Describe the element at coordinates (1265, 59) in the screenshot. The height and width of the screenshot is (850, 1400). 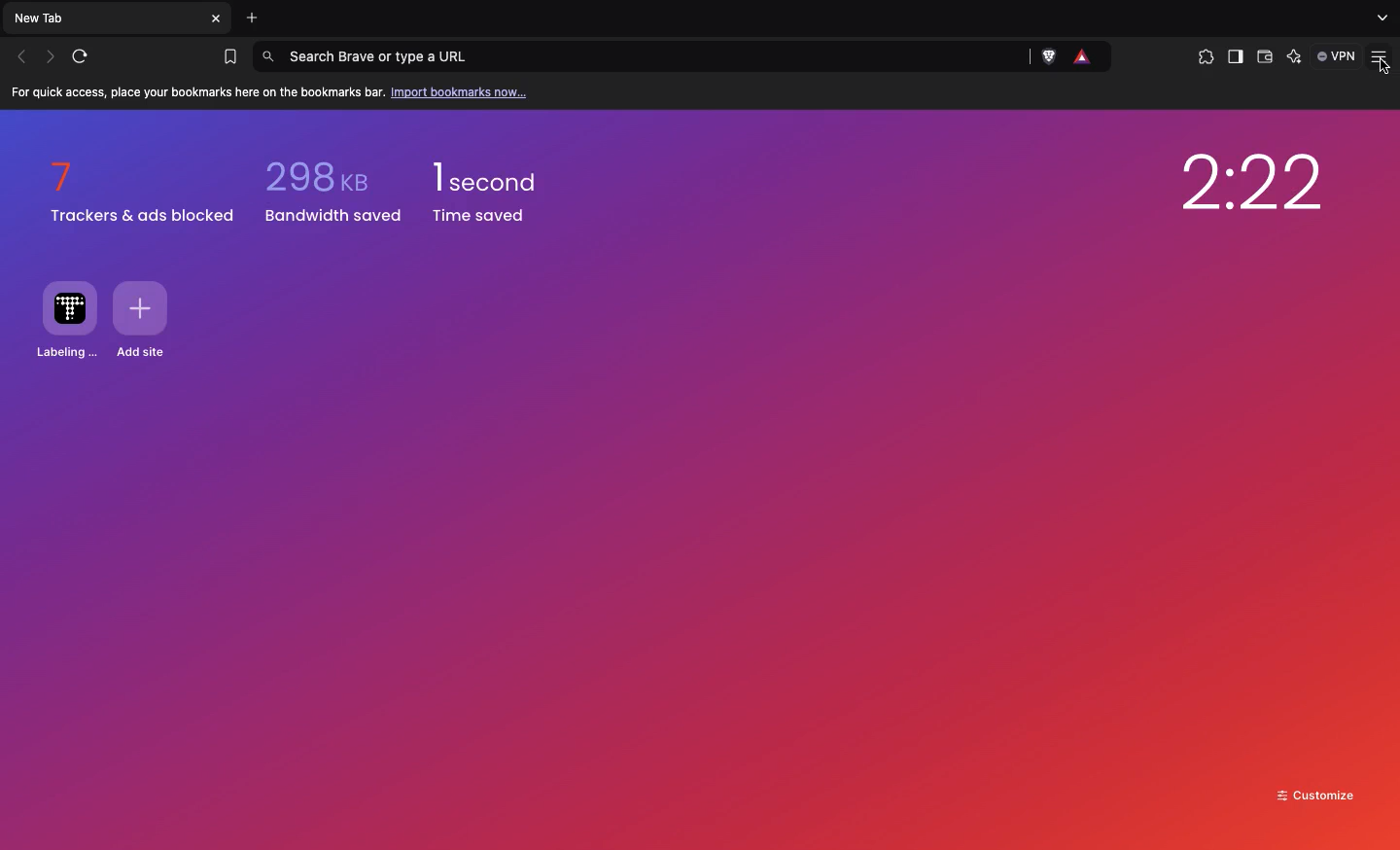
I see `Wallet` at that location.